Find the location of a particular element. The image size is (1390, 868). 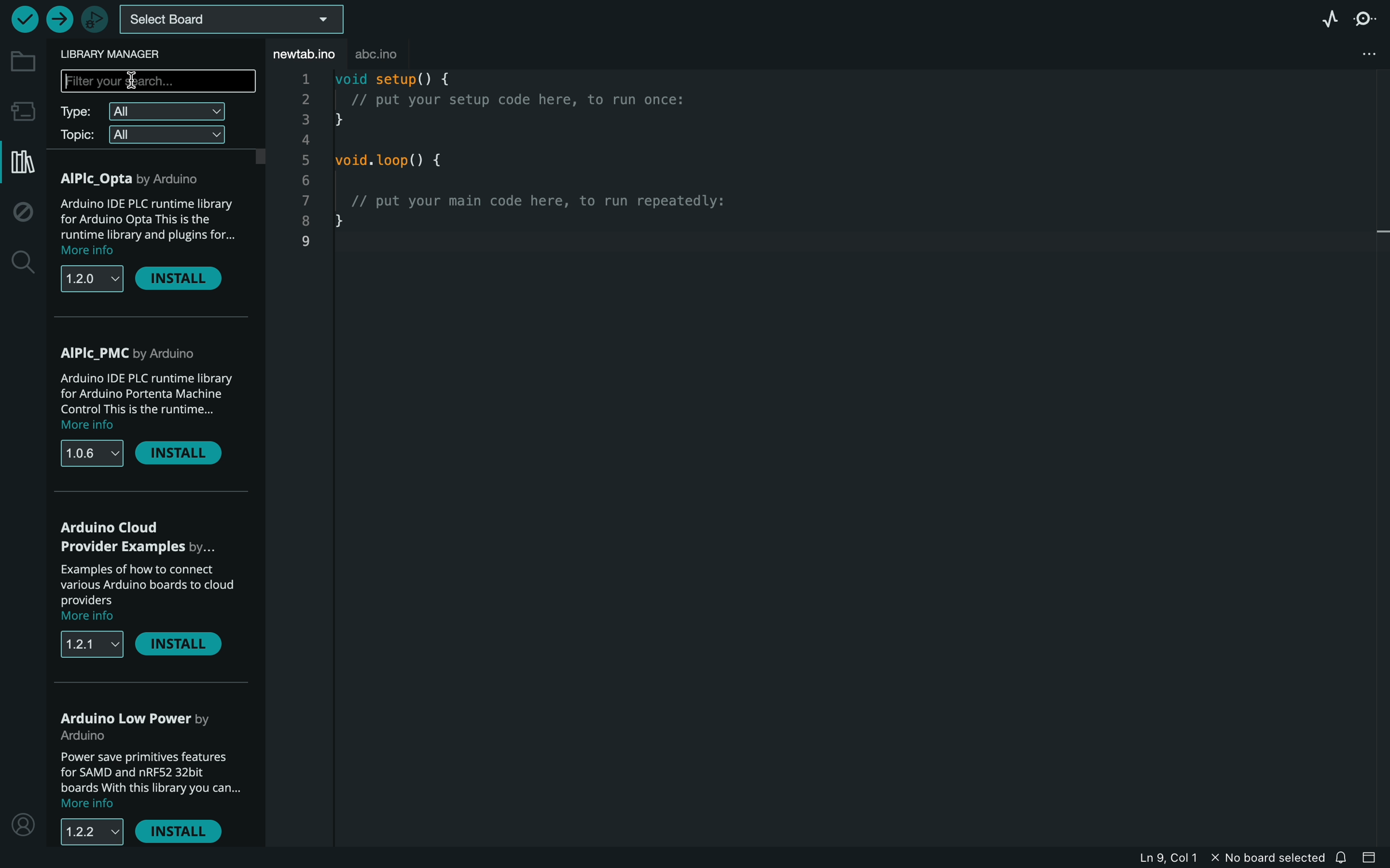

file information is located at coordinates (1181, 853).